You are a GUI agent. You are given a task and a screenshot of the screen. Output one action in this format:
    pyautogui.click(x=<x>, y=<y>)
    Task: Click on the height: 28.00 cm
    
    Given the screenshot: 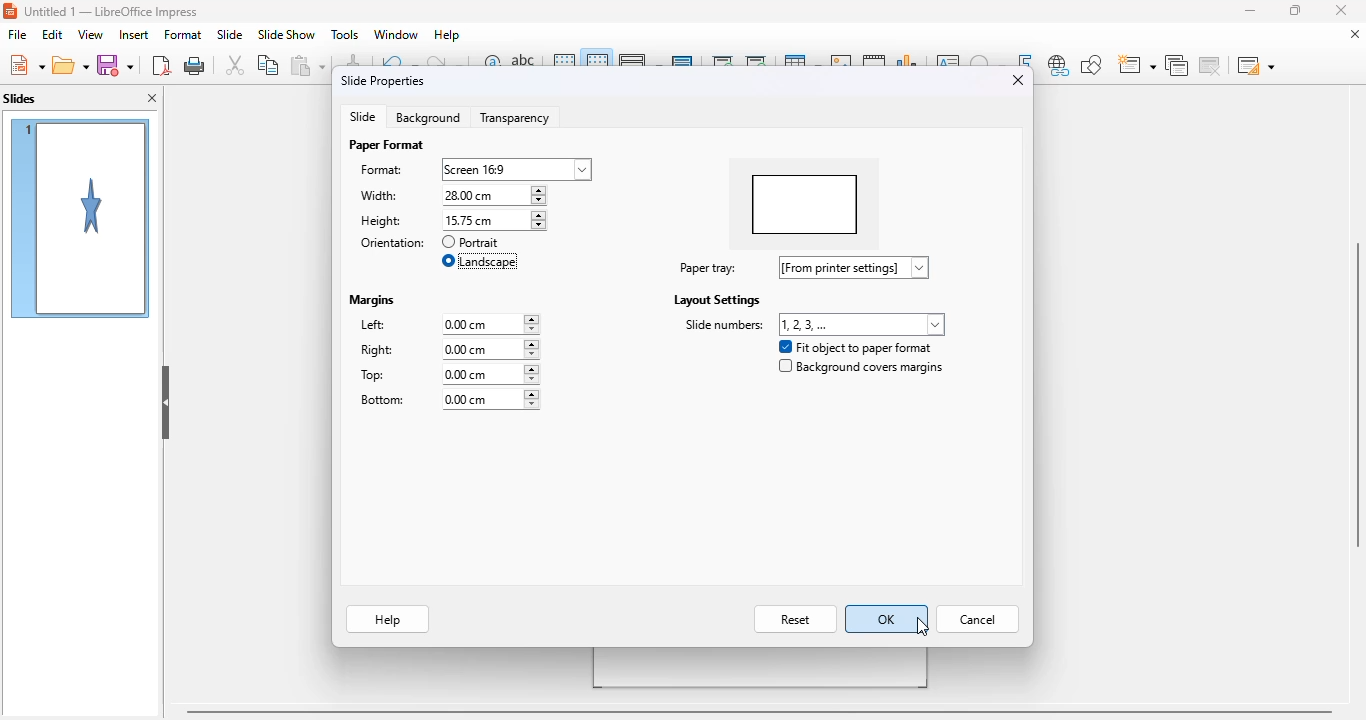 What is the action you would take?
    pyautogui.click(x=483, y=220)
    